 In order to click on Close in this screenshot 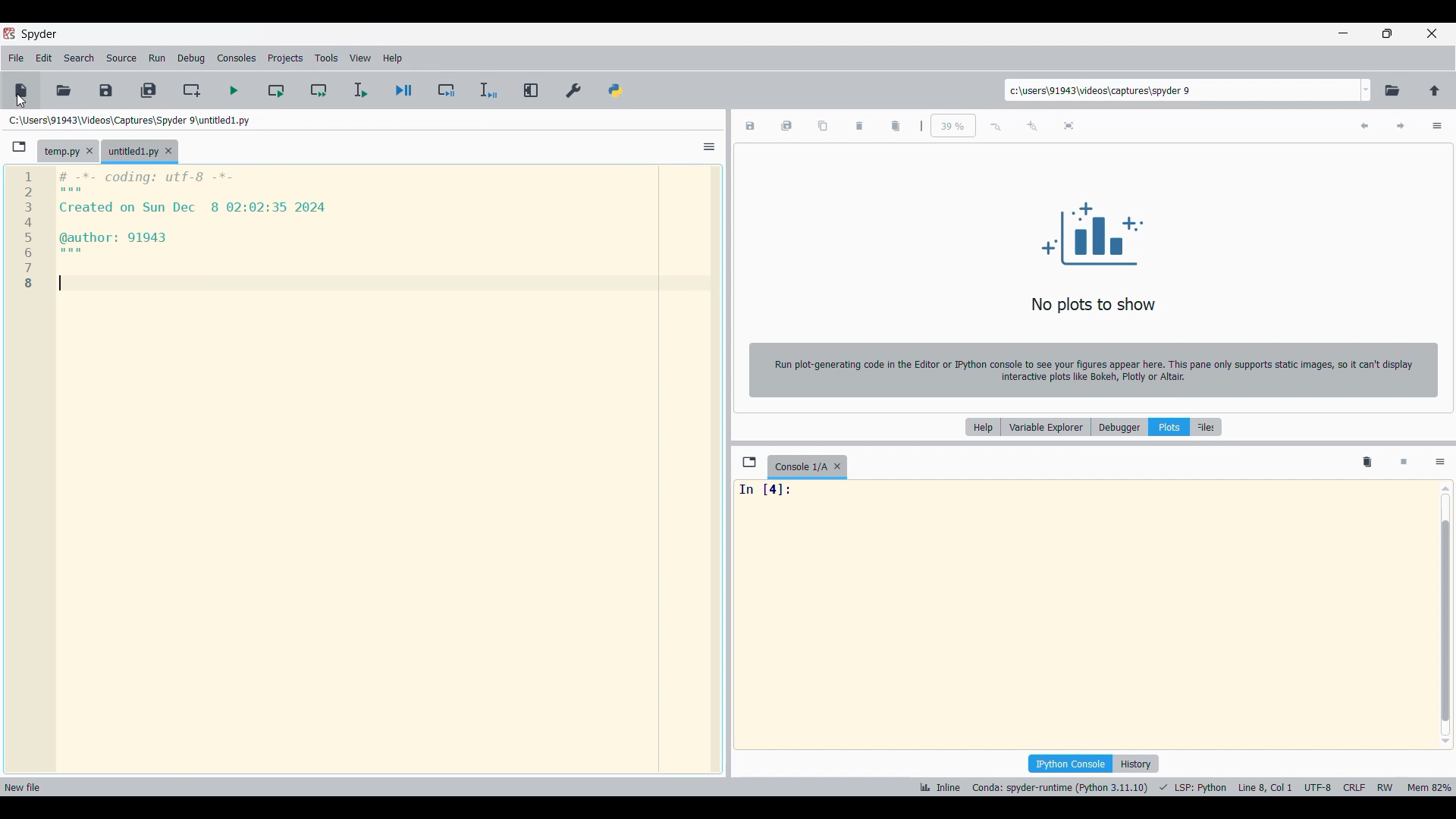, I will do `click(838, 466)`.